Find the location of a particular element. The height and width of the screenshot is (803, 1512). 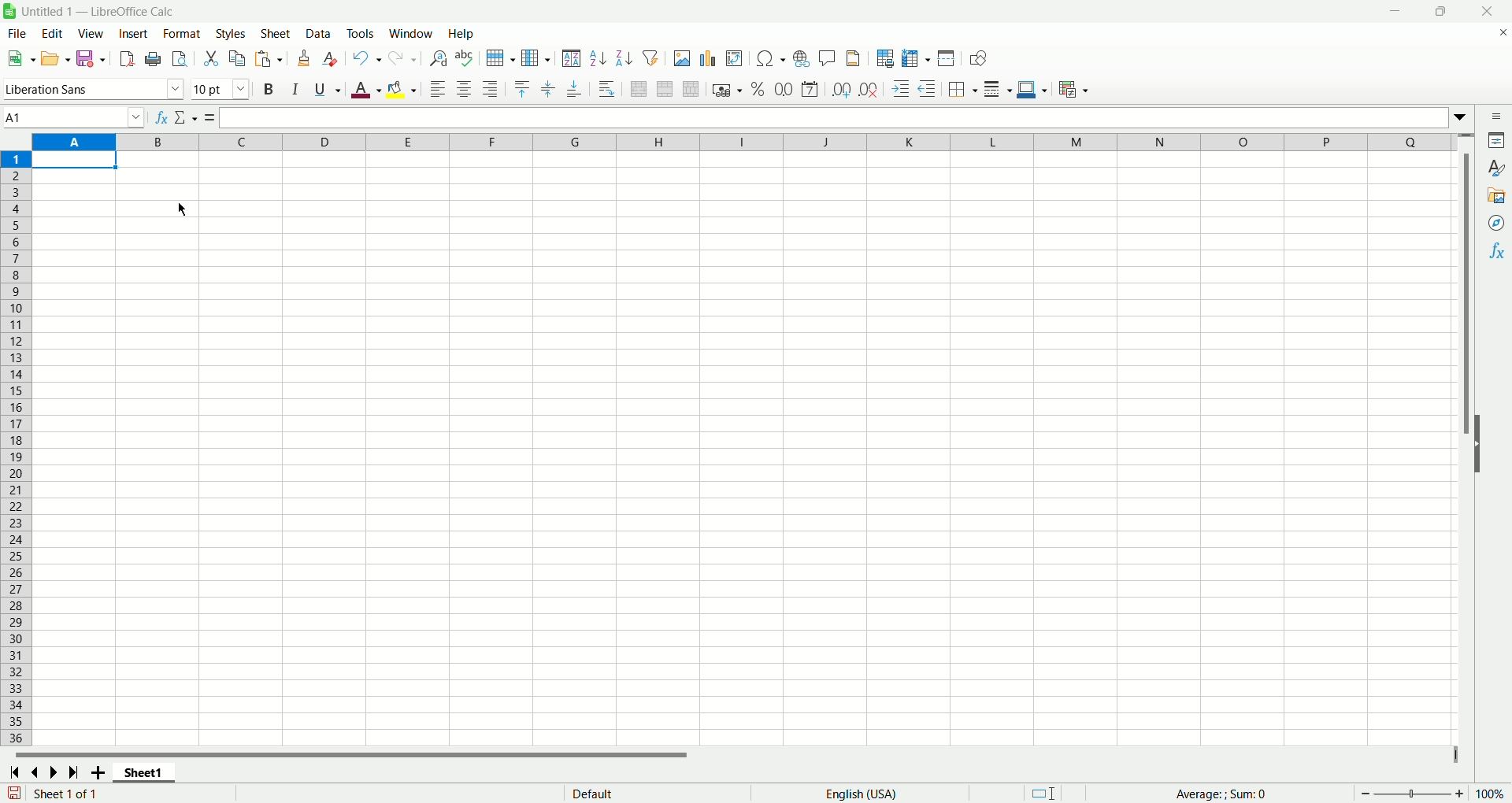

unmerge cell is located at coordinates (691, 90).